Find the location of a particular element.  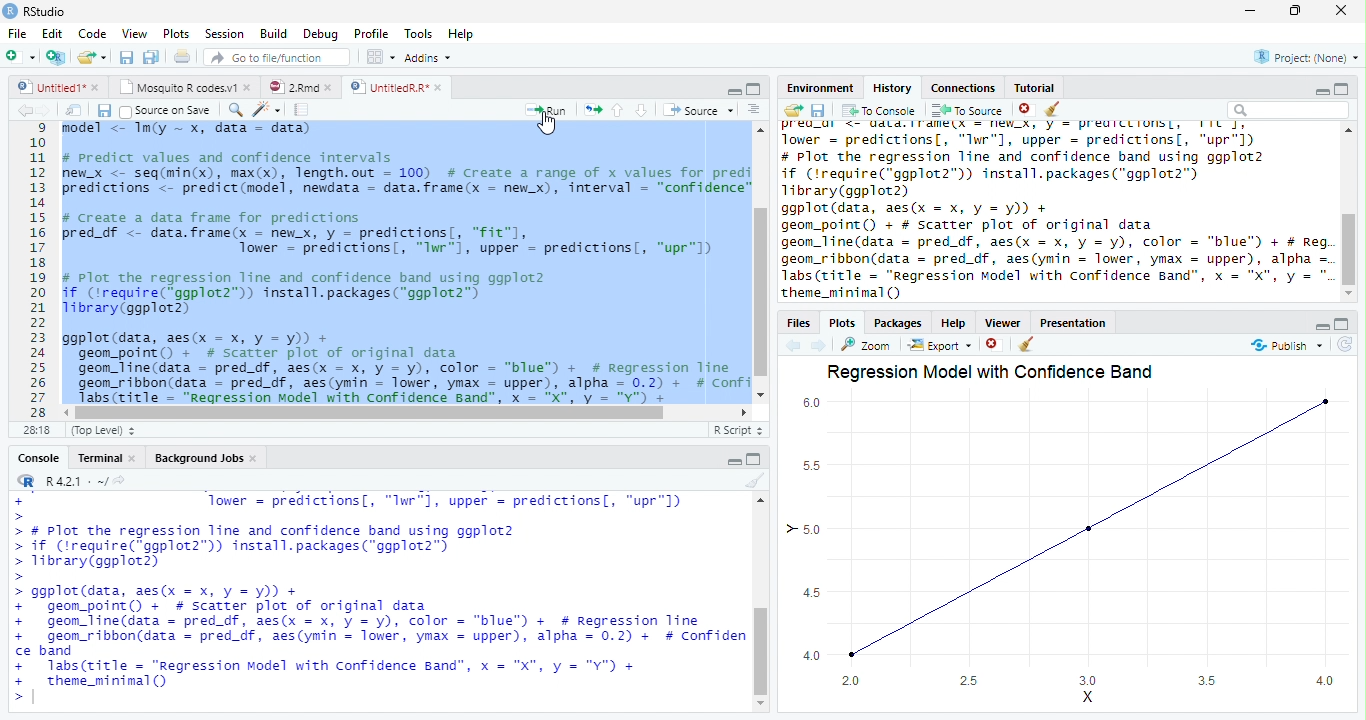

> is located at coordinates (15, 500).